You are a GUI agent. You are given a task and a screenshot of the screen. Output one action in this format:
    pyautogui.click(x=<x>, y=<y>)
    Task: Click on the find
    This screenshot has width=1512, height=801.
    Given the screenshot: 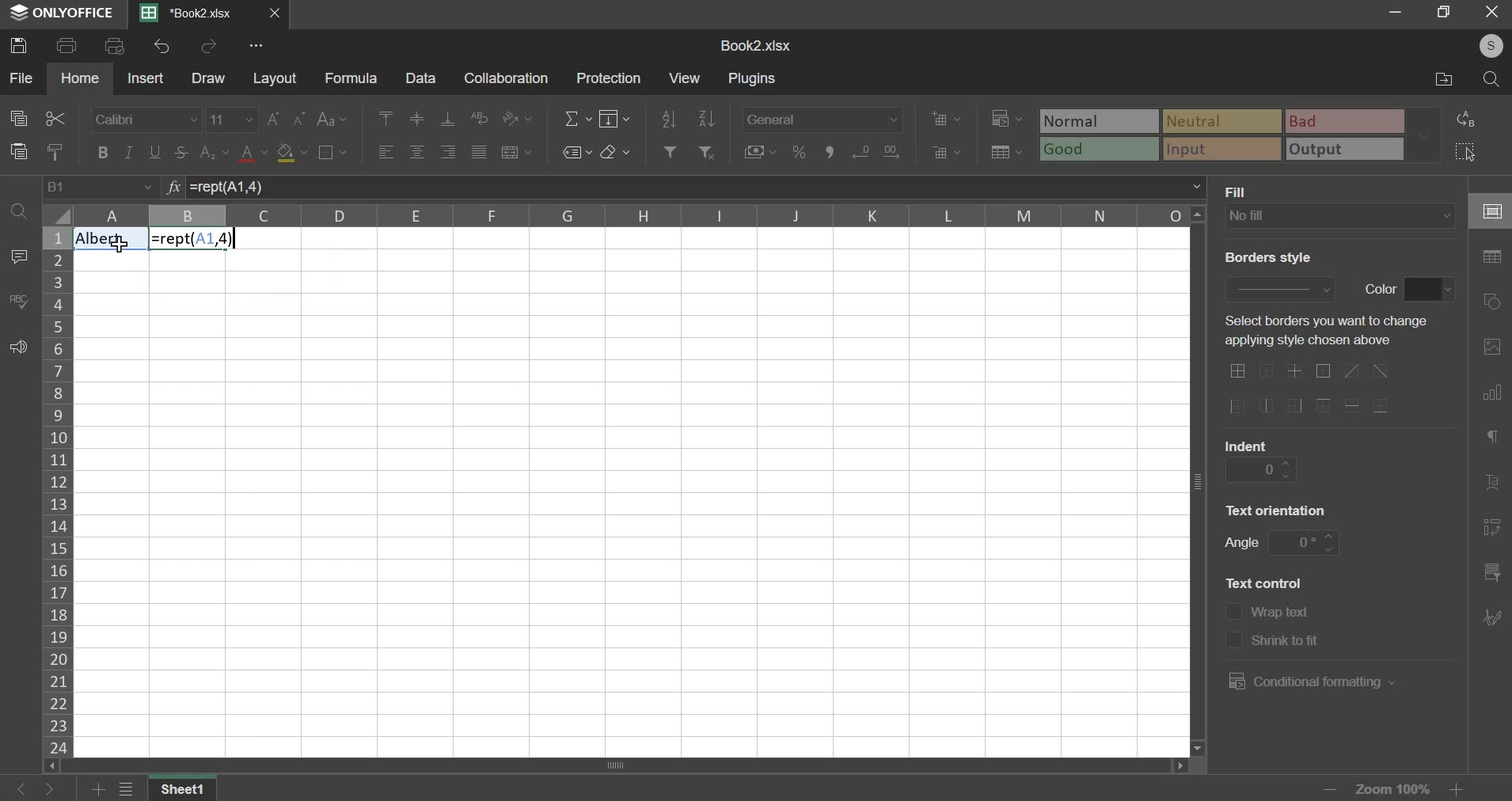 What is the action you would take?
    pyautogui.click(x=18, y=212)
    